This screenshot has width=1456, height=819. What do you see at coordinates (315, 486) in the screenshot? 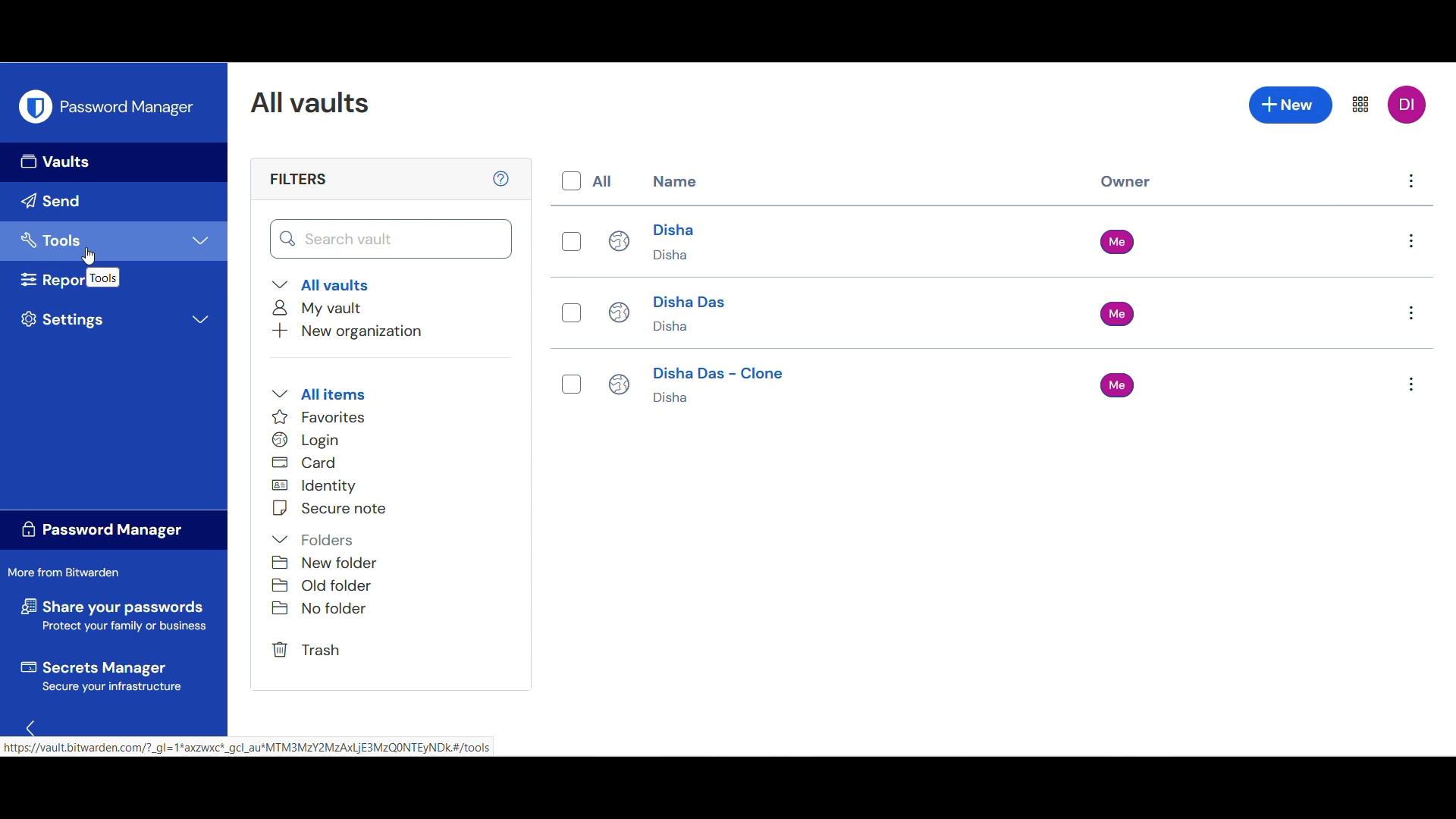
I see `Identity` at bounding box center [315, 486].